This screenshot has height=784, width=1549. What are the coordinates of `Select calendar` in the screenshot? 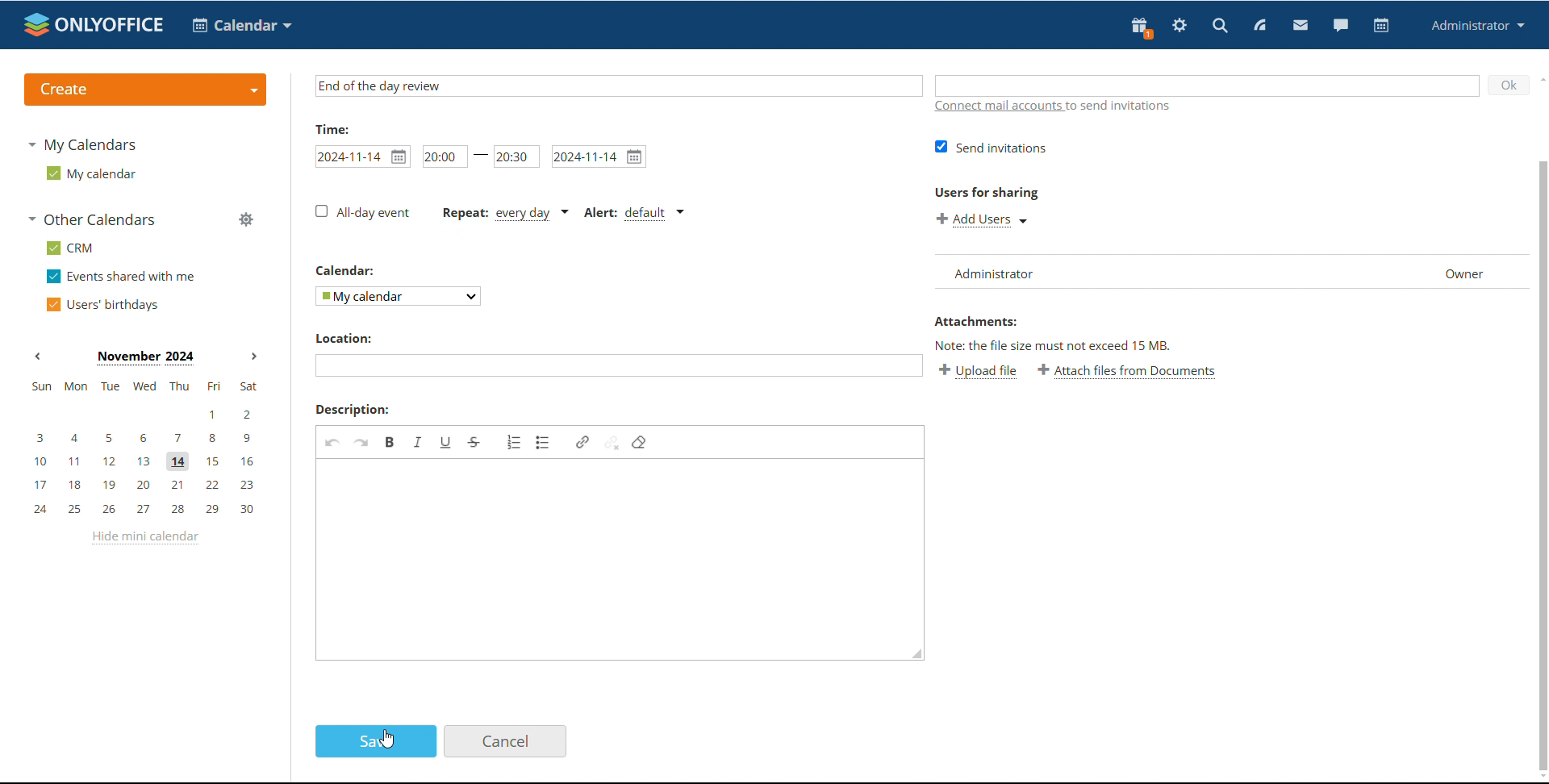 It's located at (399, 295).